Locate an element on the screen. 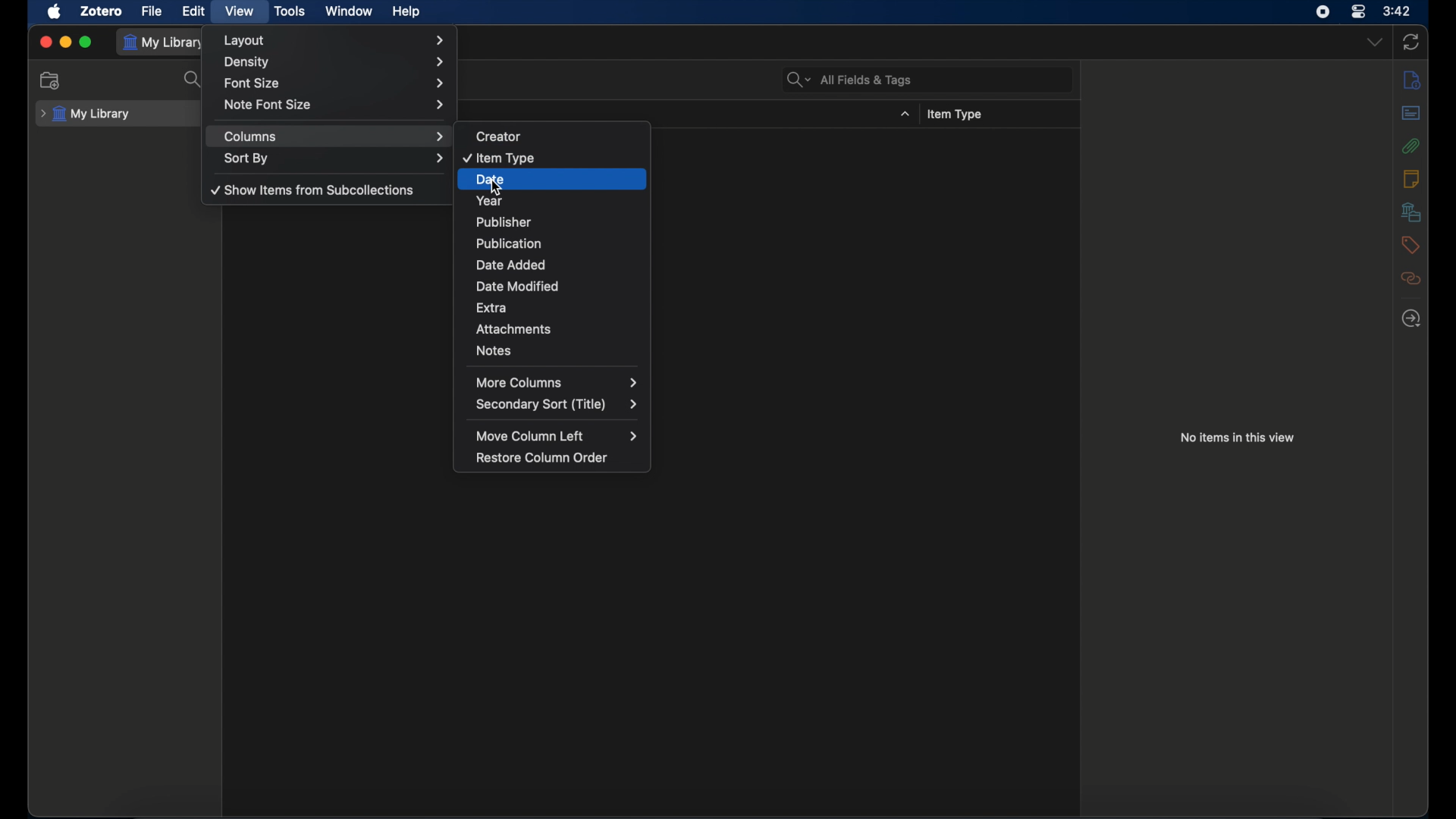 The image size is (1456, 819). view is located at coordinates (240, 11).